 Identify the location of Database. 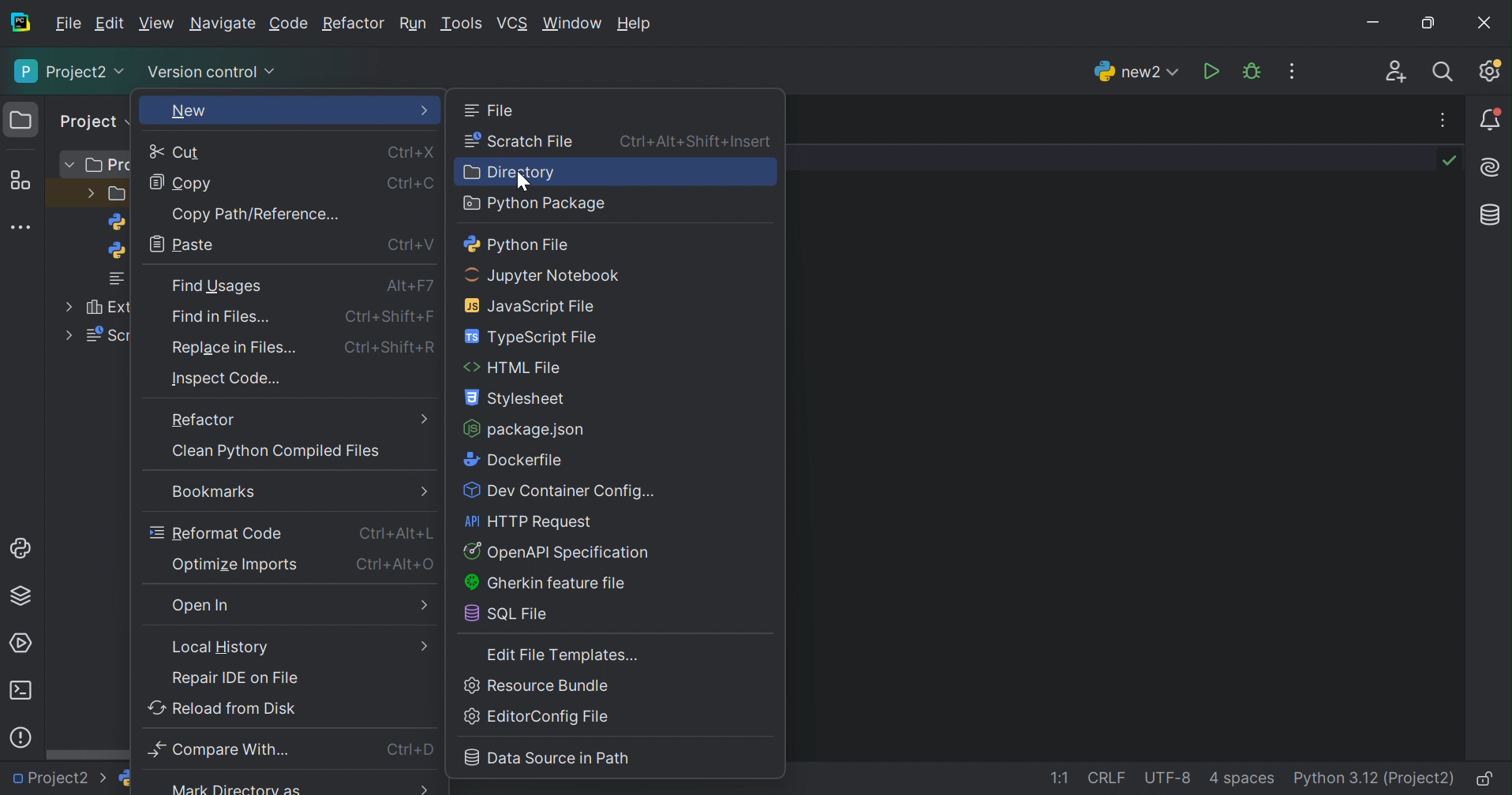
(1493, 216).